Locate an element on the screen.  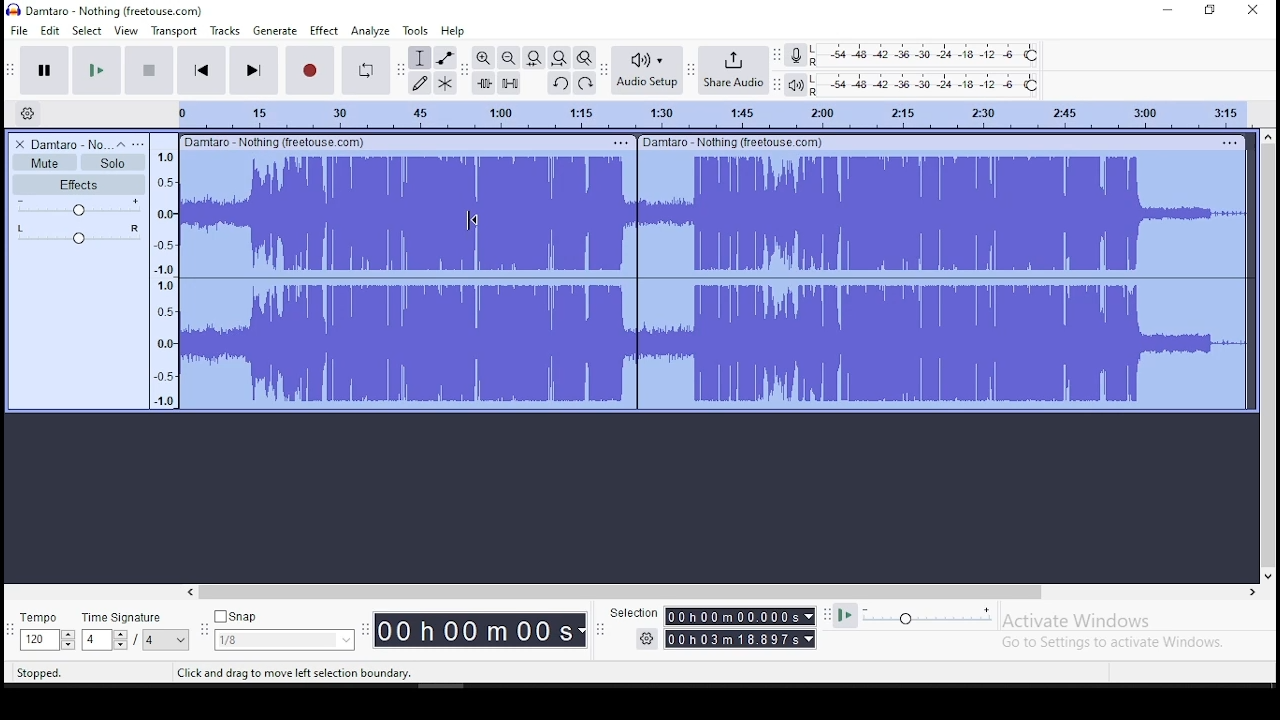
analyze is located at coordinates (370, 32).